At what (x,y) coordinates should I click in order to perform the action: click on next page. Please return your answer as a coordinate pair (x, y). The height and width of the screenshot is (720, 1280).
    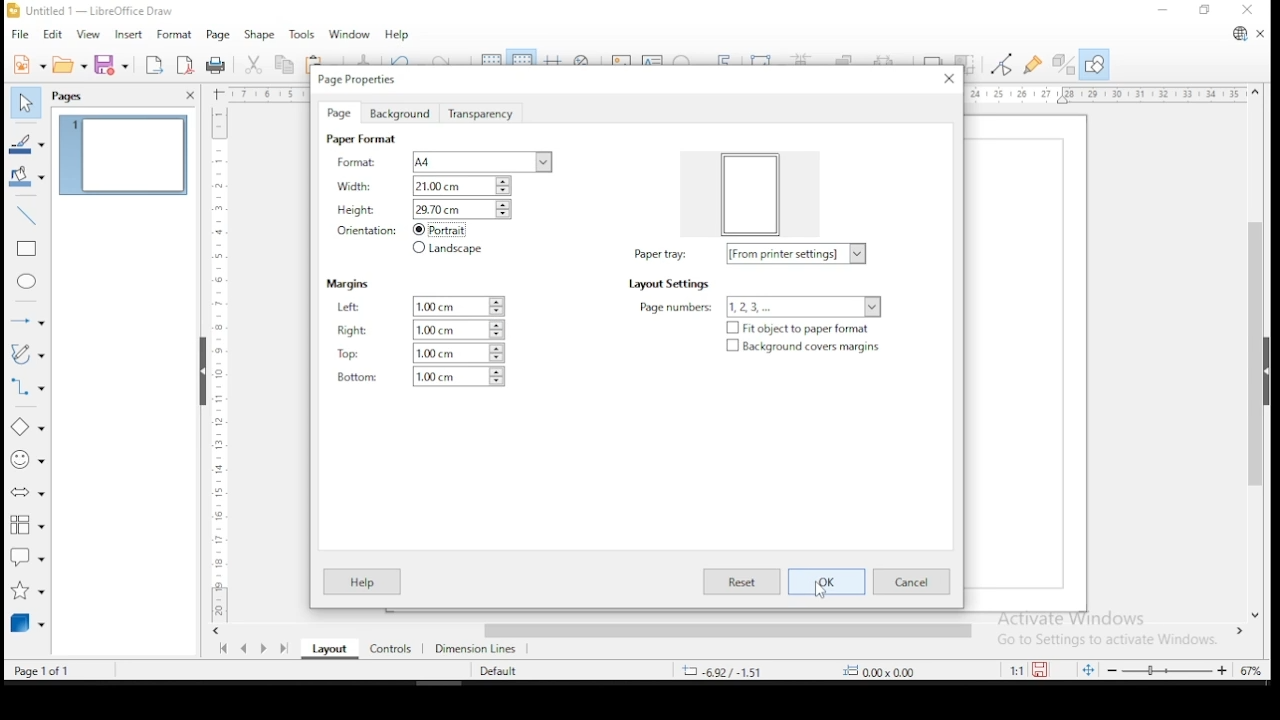
    Looking at the image, I should click on (264, 650).